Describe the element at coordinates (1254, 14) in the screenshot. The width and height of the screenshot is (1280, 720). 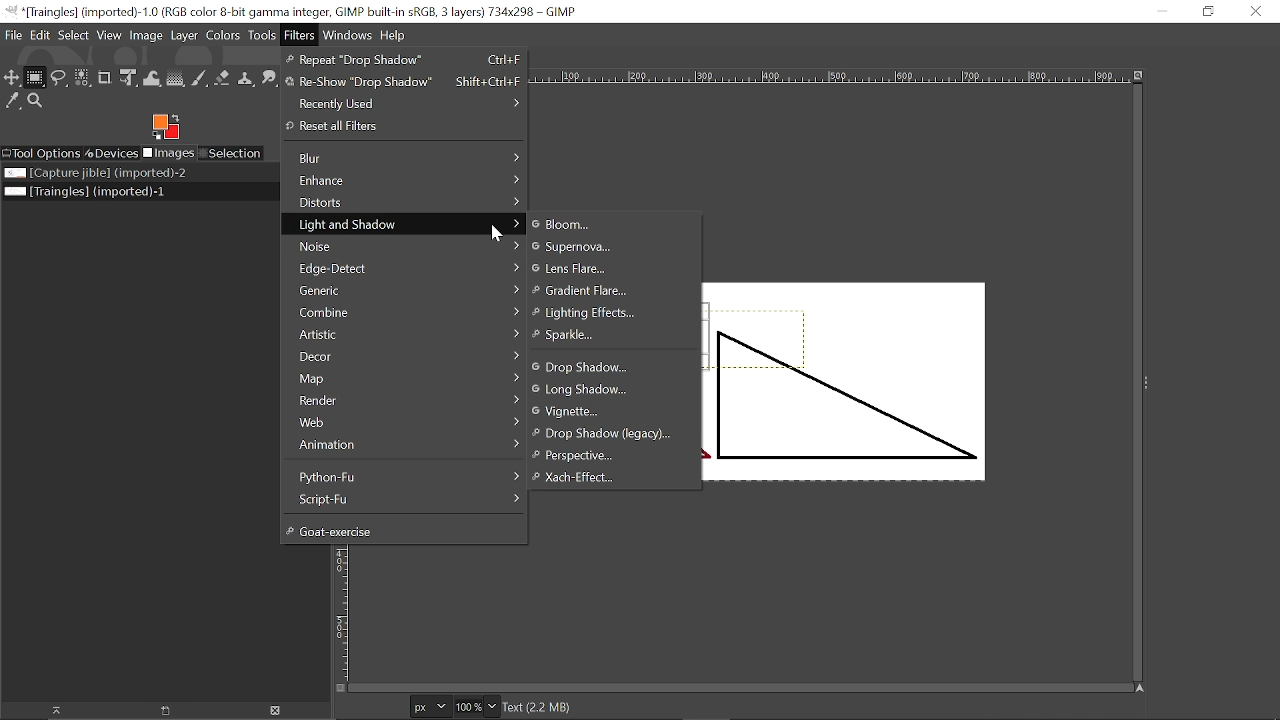
I see `Close` at that location.